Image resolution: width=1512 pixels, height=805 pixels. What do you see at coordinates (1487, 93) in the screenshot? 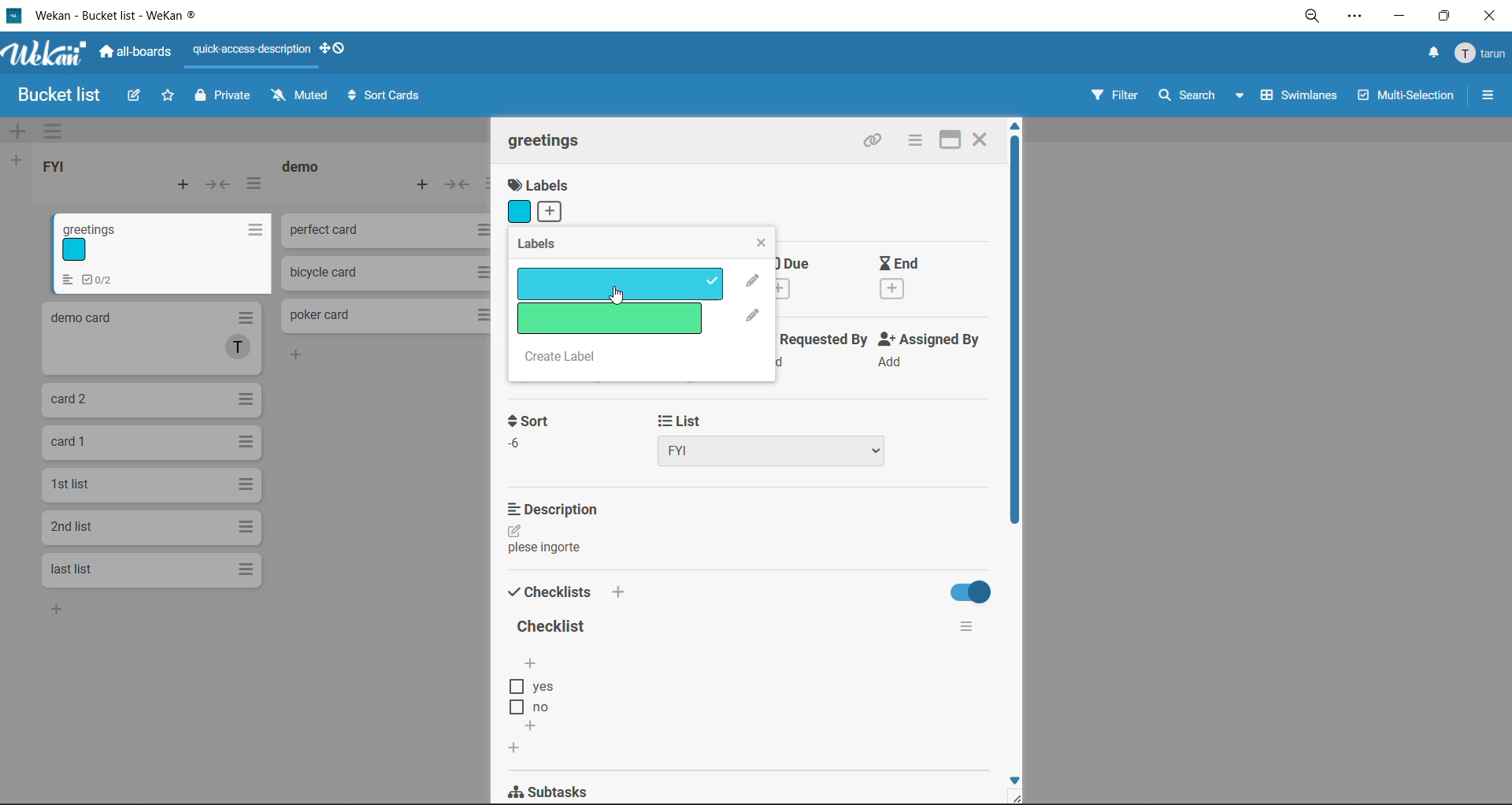
I see `sidebar` at bounding box center [1487, 93].